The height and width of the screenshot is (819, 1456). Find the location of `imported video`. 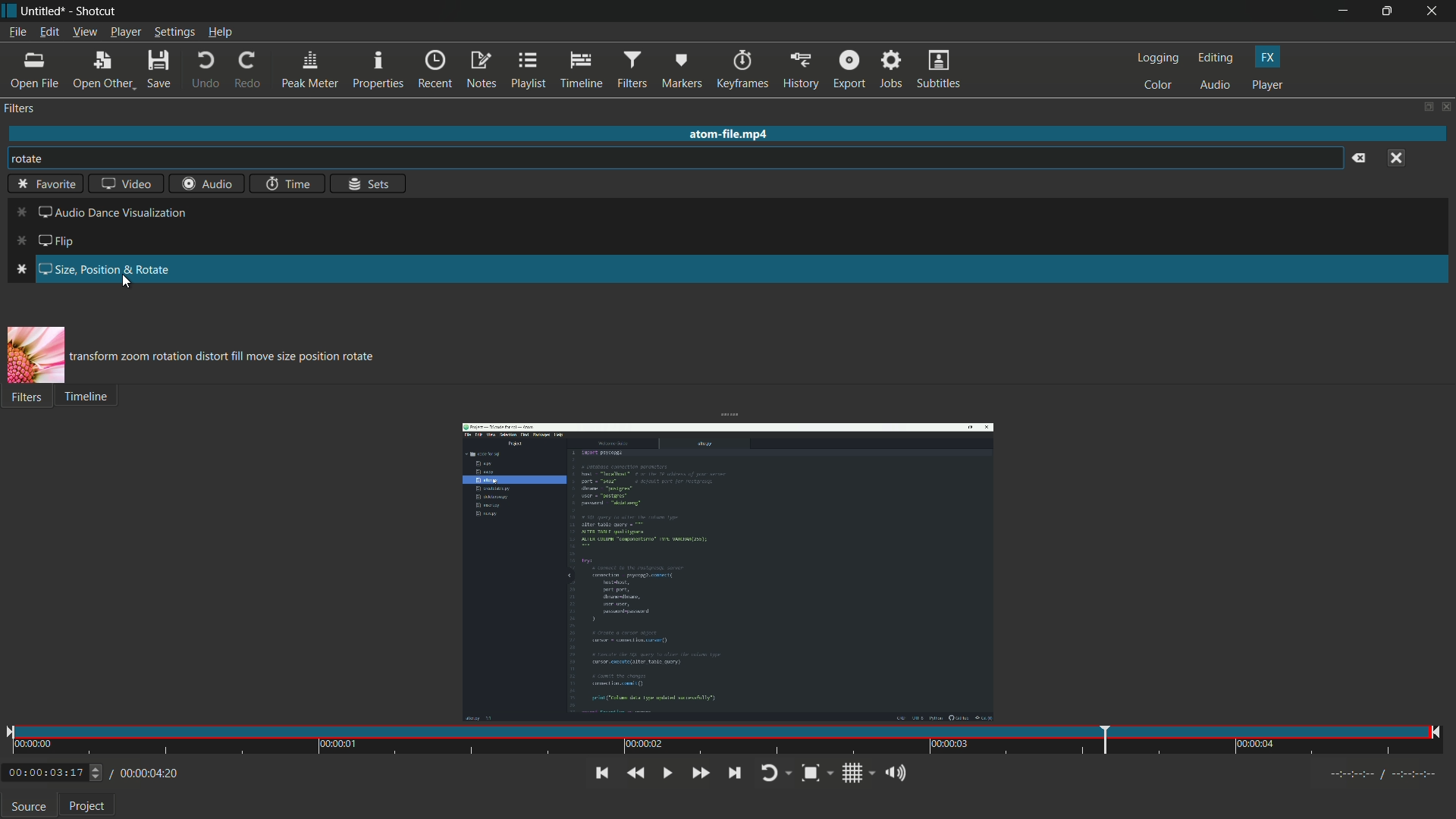

imported video is located at coordinates (730, 572).